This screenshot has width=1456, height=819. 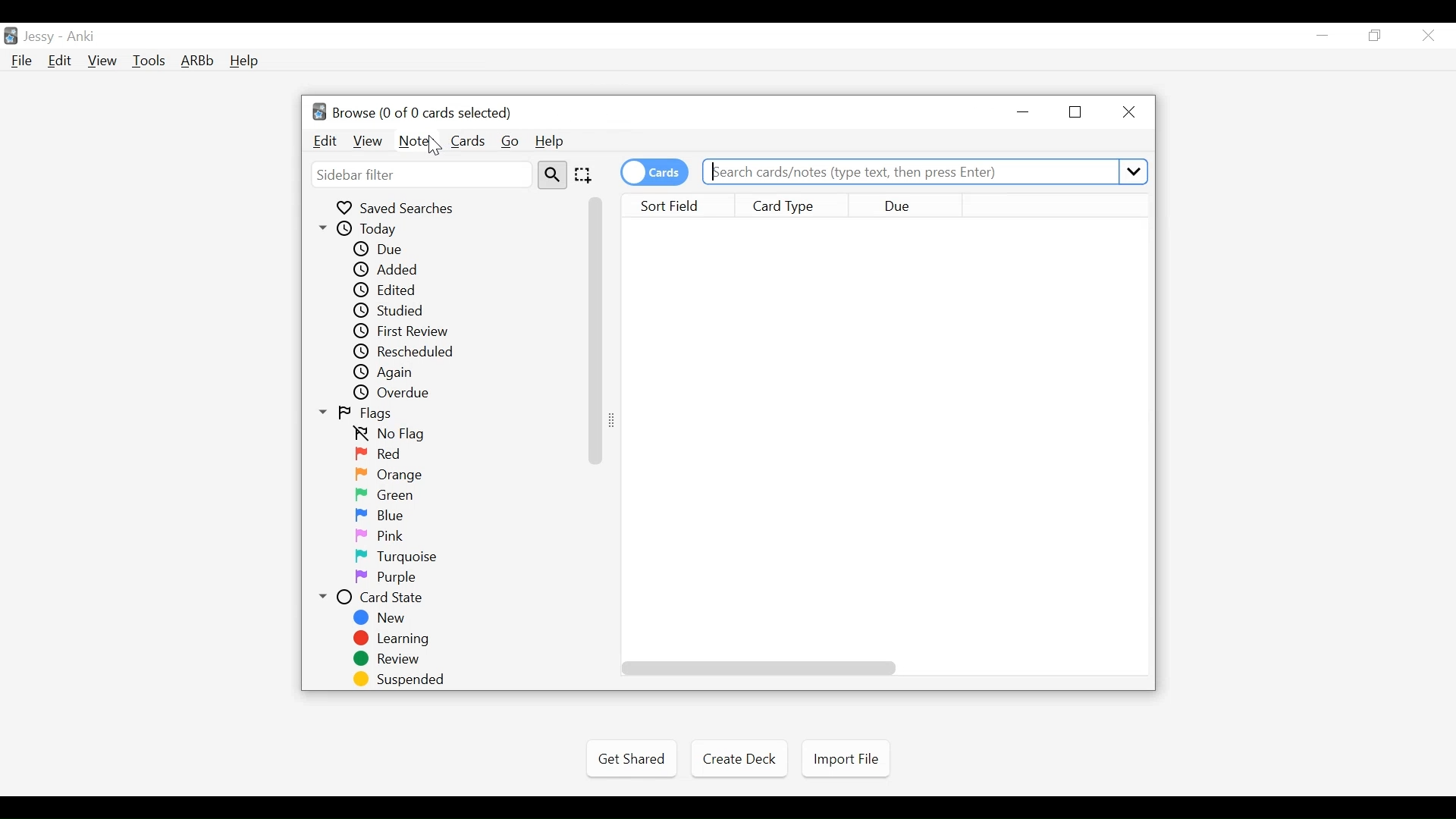 I want to click on minimize, so click(x=1322, y=36).